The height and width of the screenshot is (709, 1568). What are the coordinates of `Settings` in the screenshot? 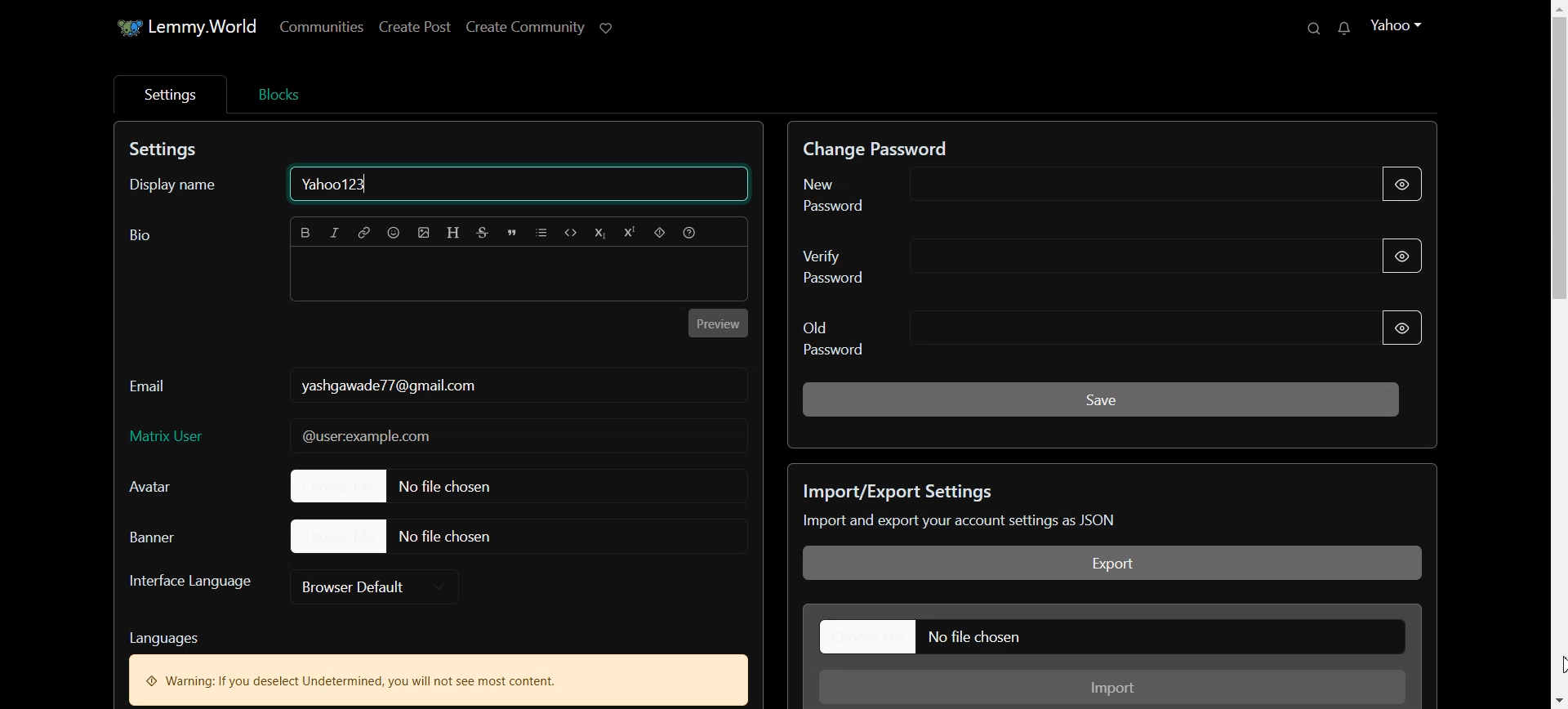 It's located at (168, 94).